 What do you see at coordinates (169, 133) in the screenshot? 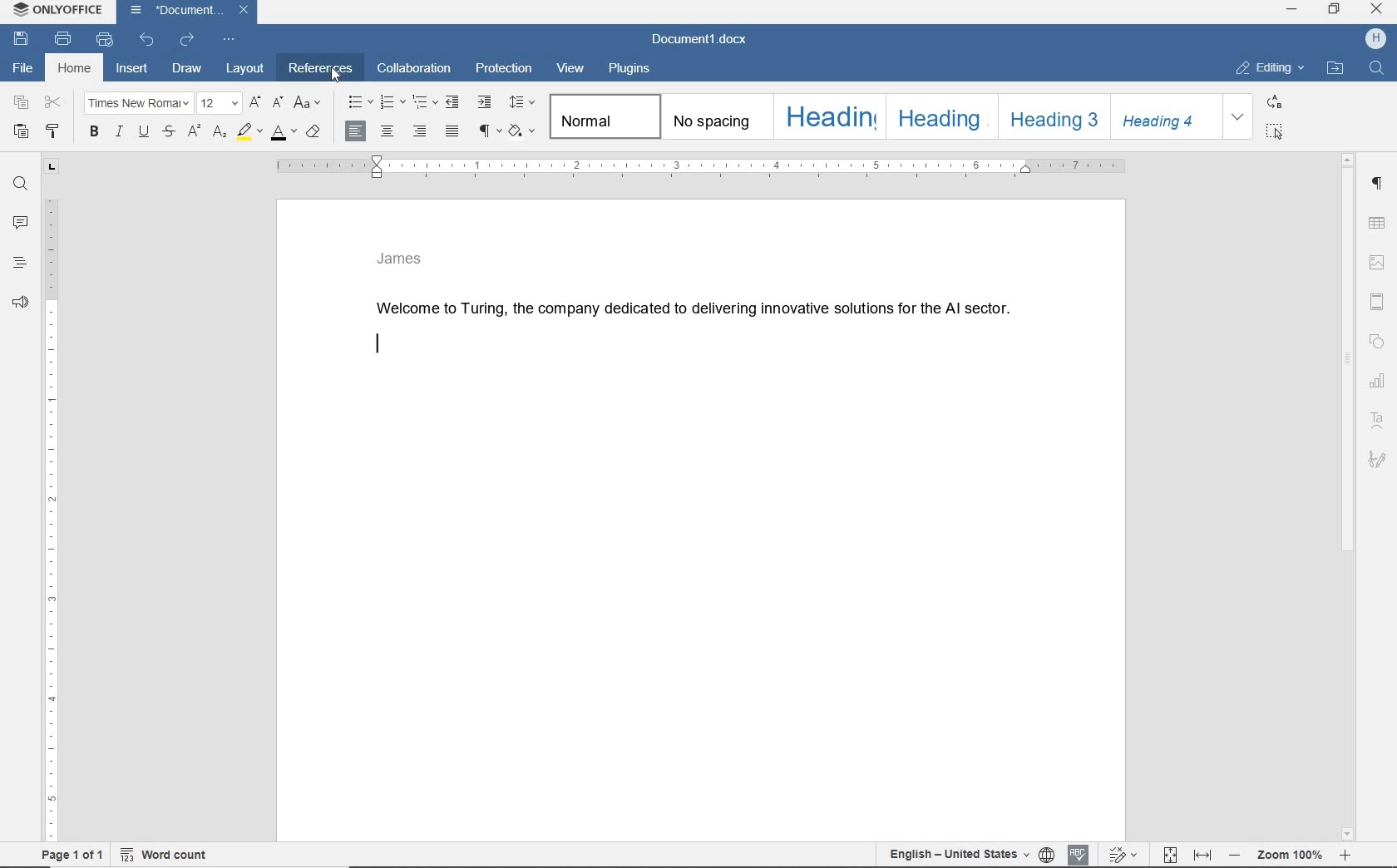
I see `strikethrough` at bounding box center [169, 133].